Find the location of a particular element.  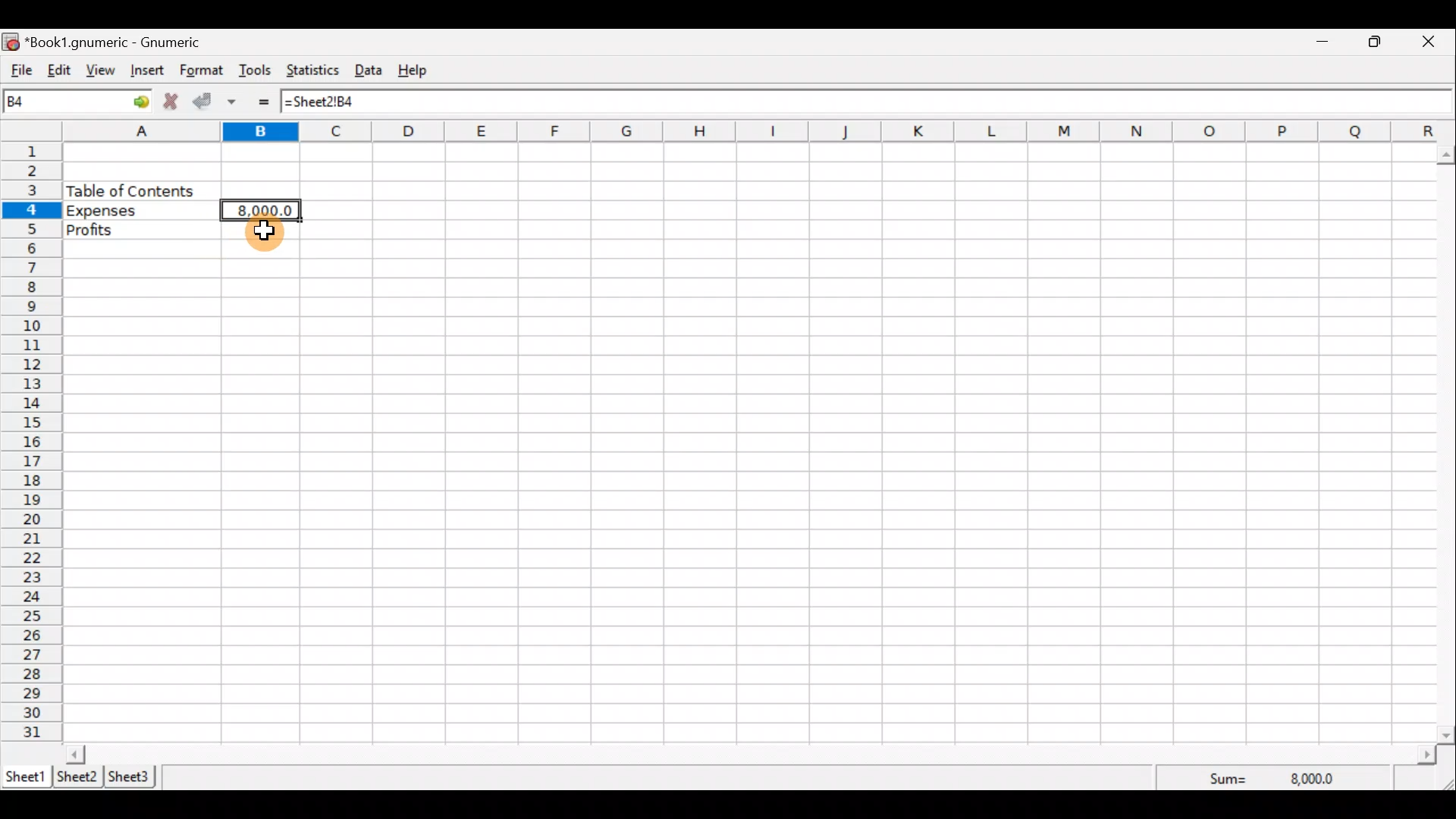

scroll down is located at coordinates (1447, 735).